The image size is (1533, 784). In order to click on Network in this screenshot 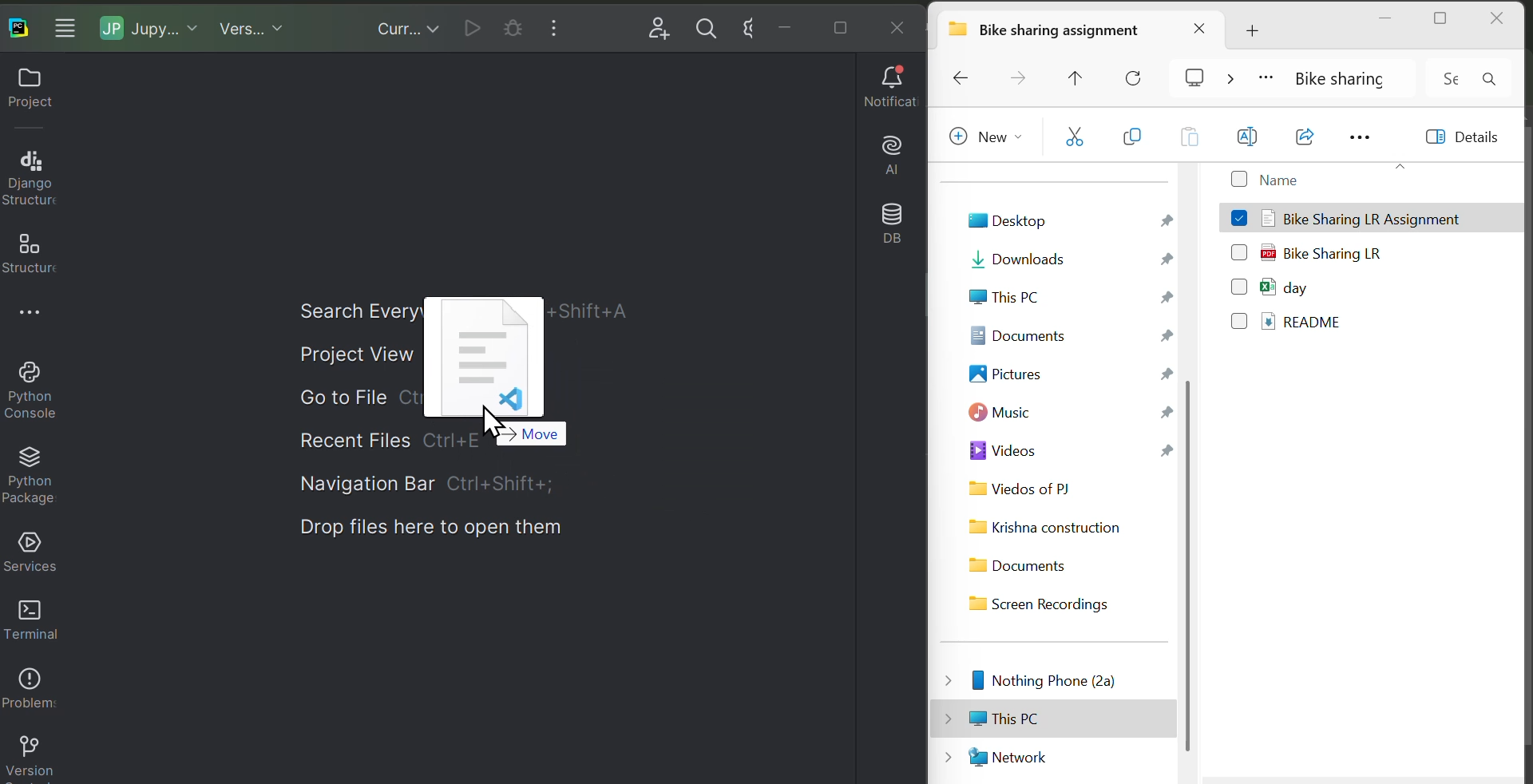, I will do `click(1052, 754)`.